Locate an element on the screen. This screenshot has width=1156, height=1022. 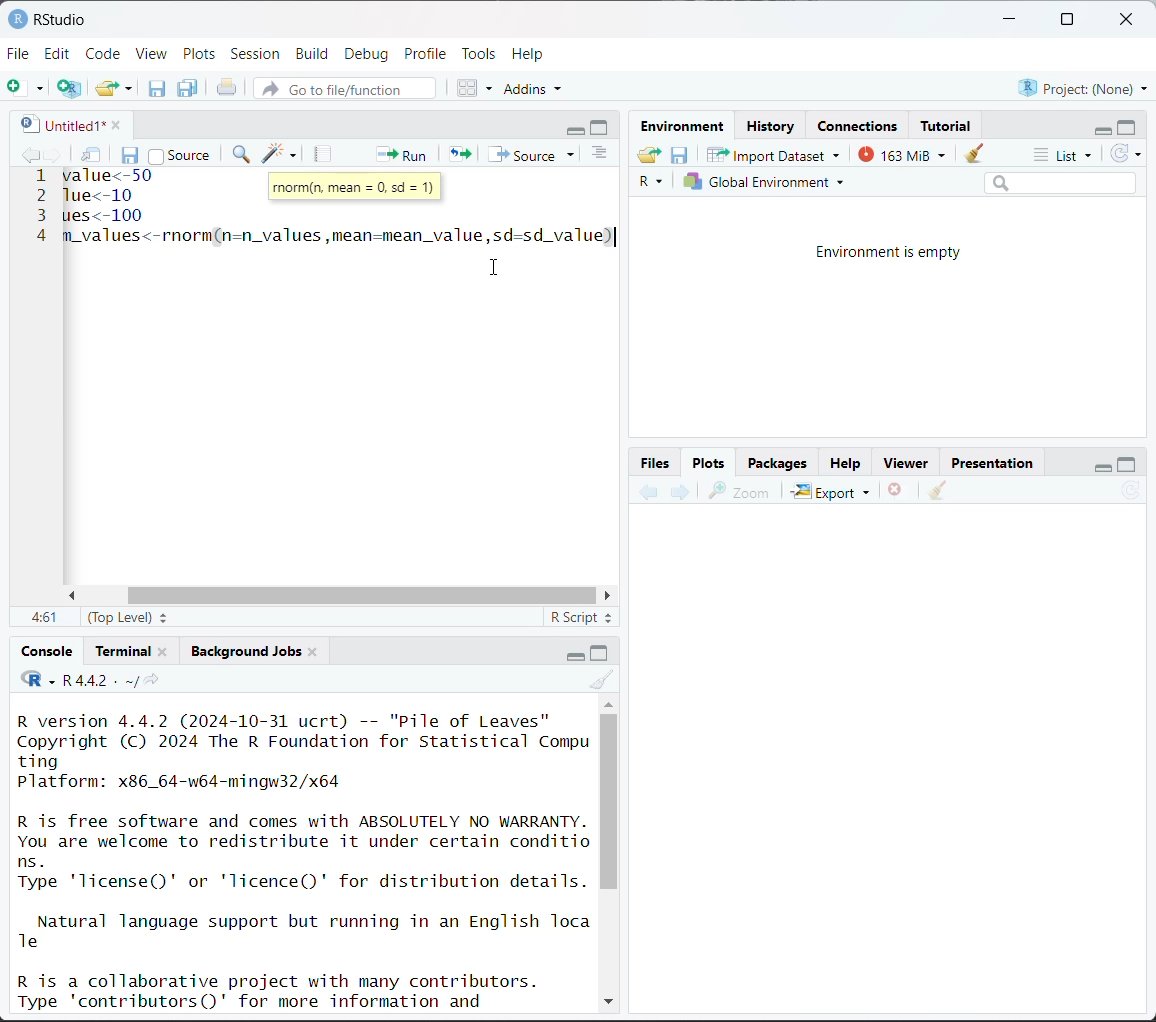
move right is located at coordinates (606, 596).